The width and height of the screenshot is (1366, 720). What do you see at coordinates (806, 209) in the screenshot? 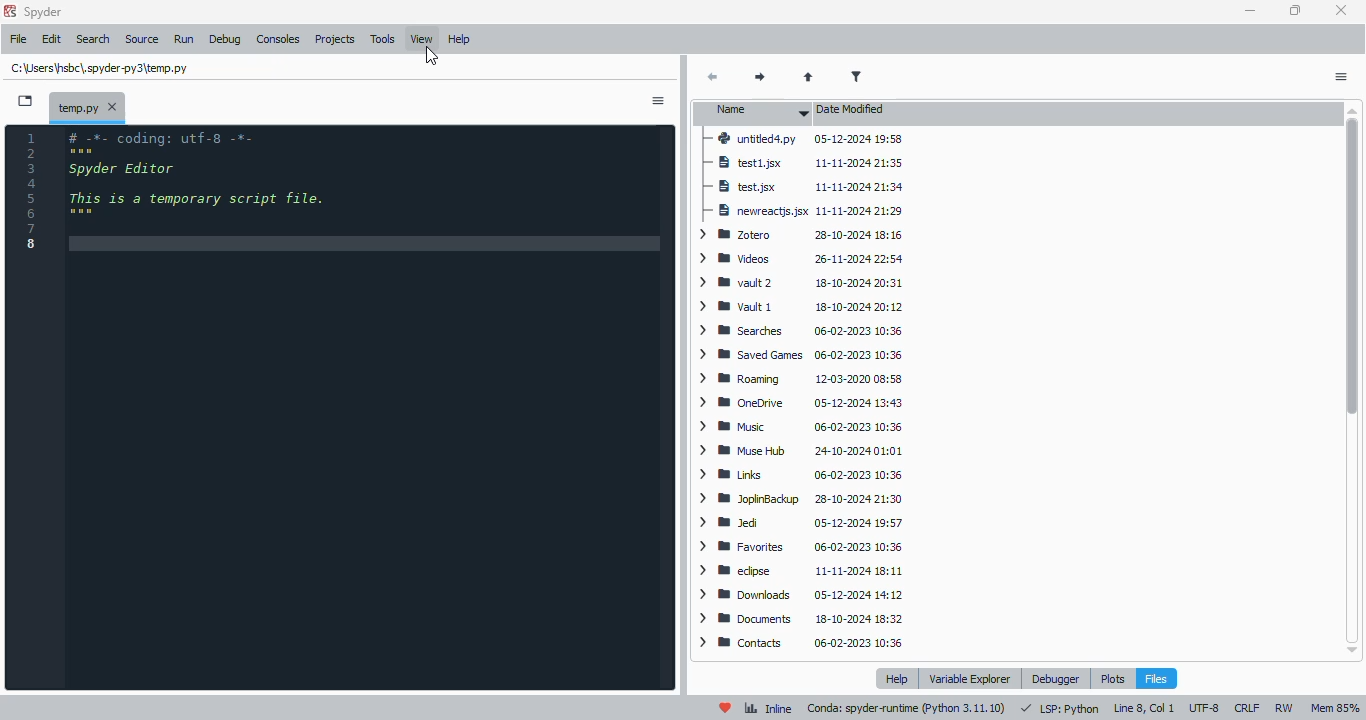
I see `newreactjs.jsx` at bounding box center [806, 209].